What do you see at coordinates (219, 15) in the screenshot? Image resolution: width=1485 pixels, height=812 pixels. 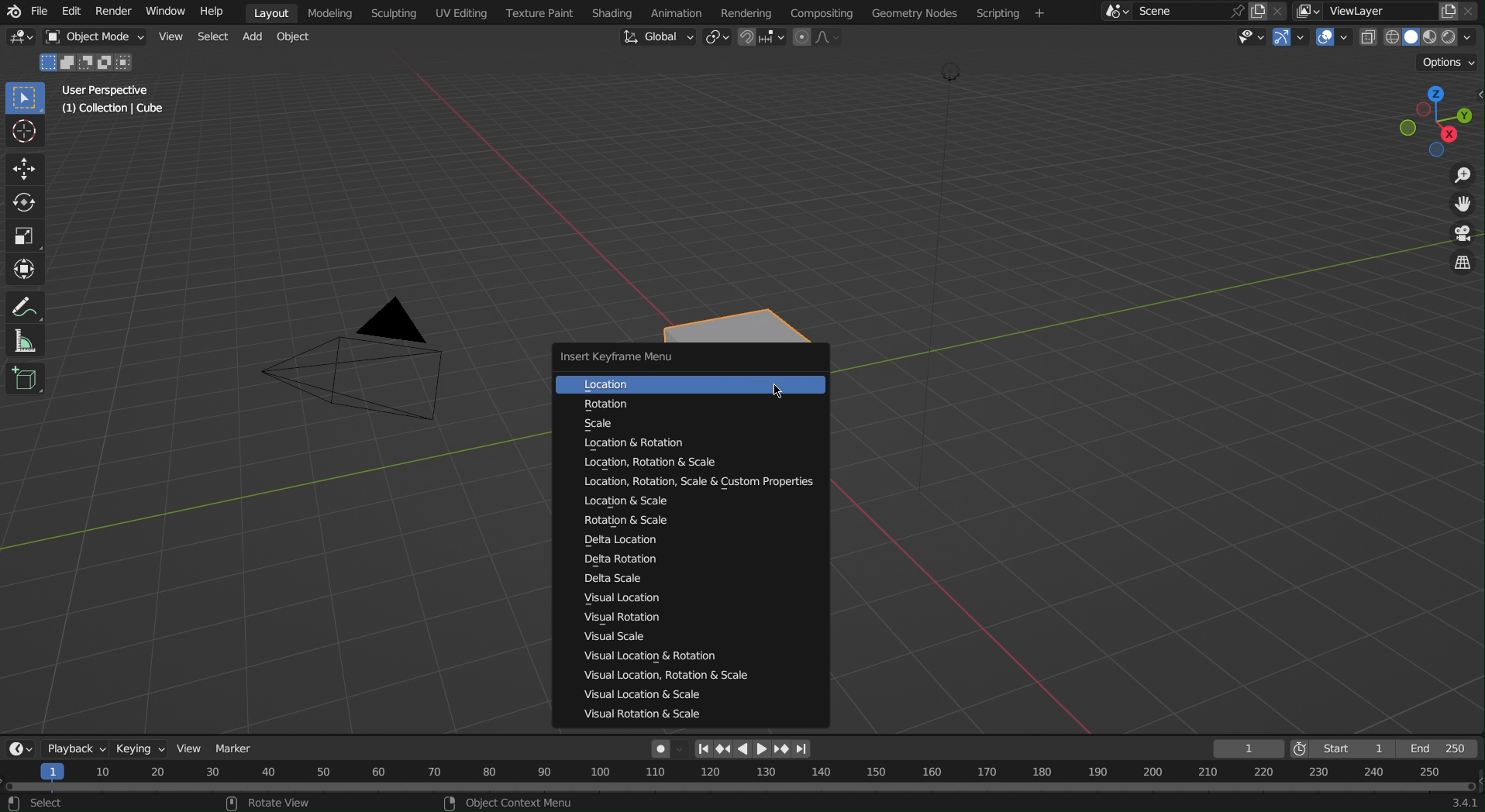 I see `Help` at bounding box center [219, 15].